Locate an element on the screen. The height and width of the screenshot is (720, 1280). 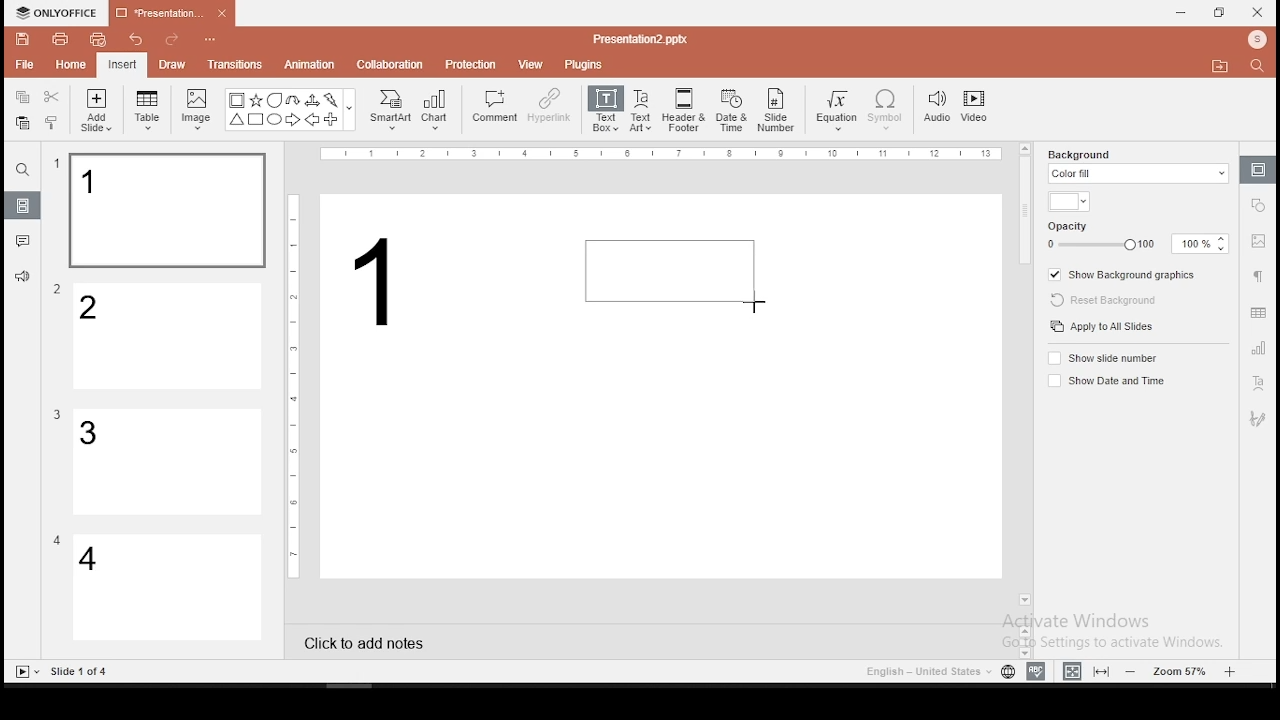
audio is located at coordinates (937, 108).